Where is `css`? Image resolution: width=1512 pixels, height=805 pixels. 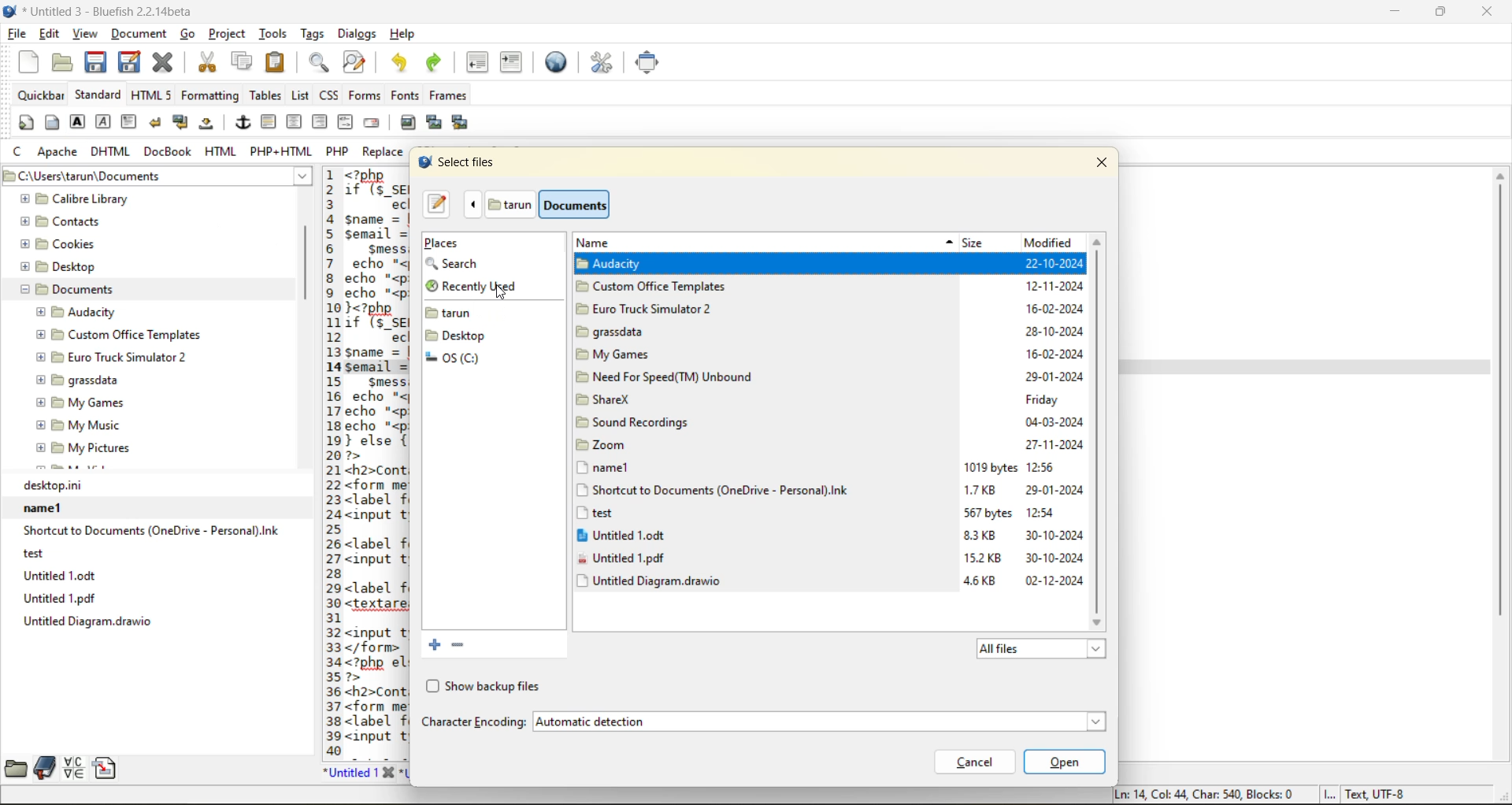 css is located at coordinates (330, 95).